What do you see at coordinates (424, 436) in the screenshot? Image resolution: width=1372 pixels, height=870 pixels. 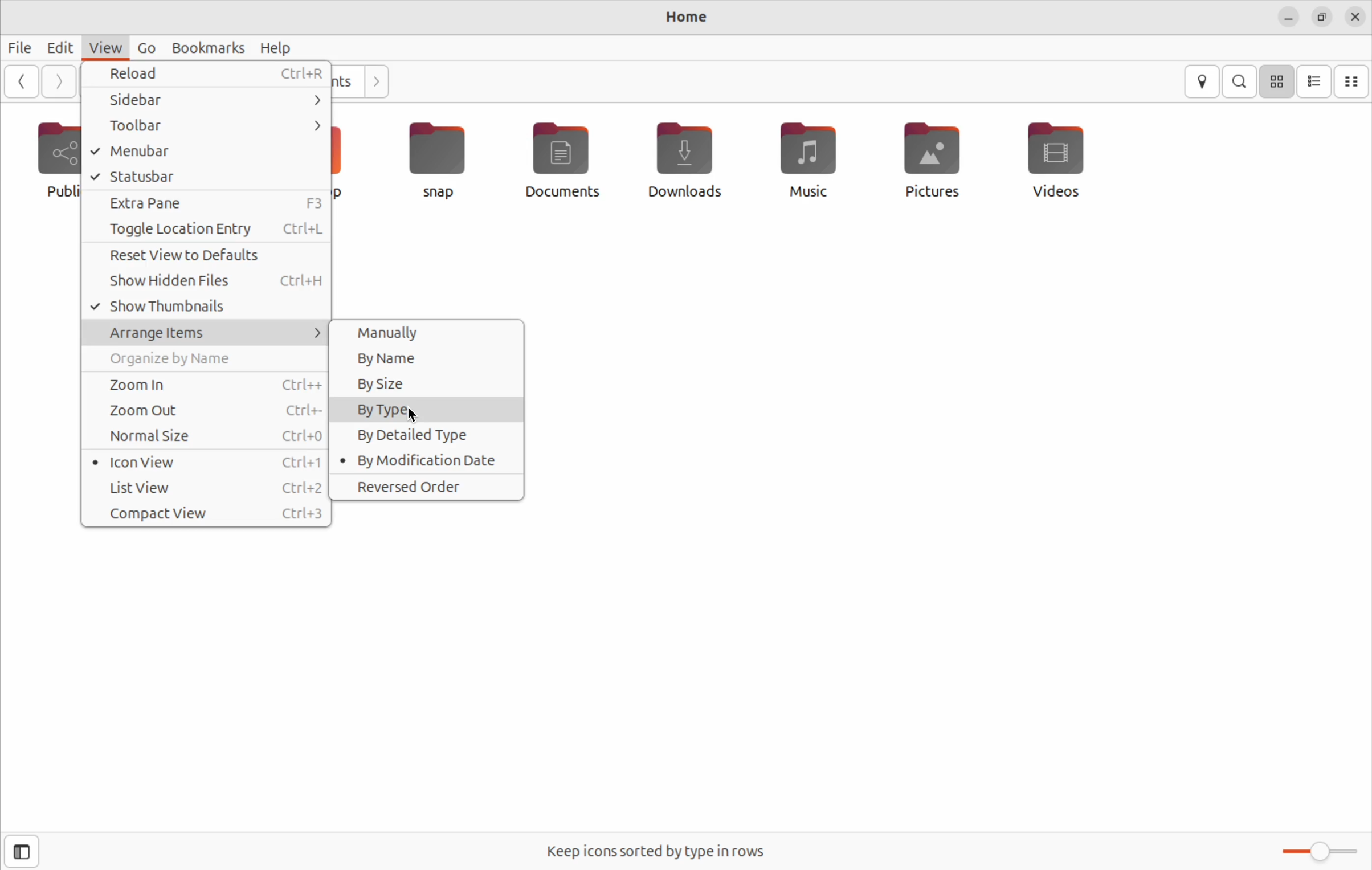 I see `by detailed type` at bounding box center [424, 436].